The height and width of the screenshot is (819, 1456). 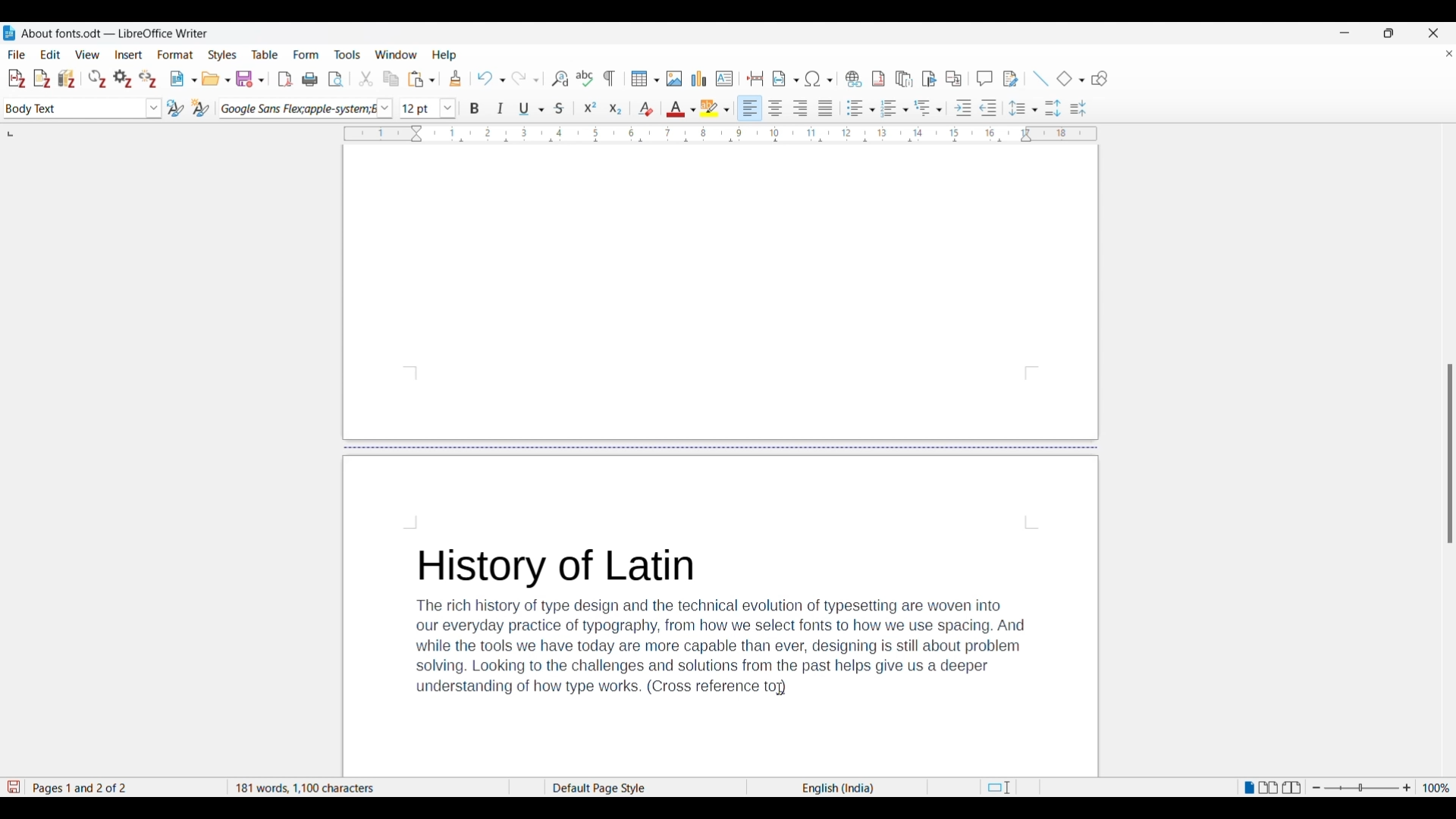 I want to click on Current page style, so click(x=645, y=788).